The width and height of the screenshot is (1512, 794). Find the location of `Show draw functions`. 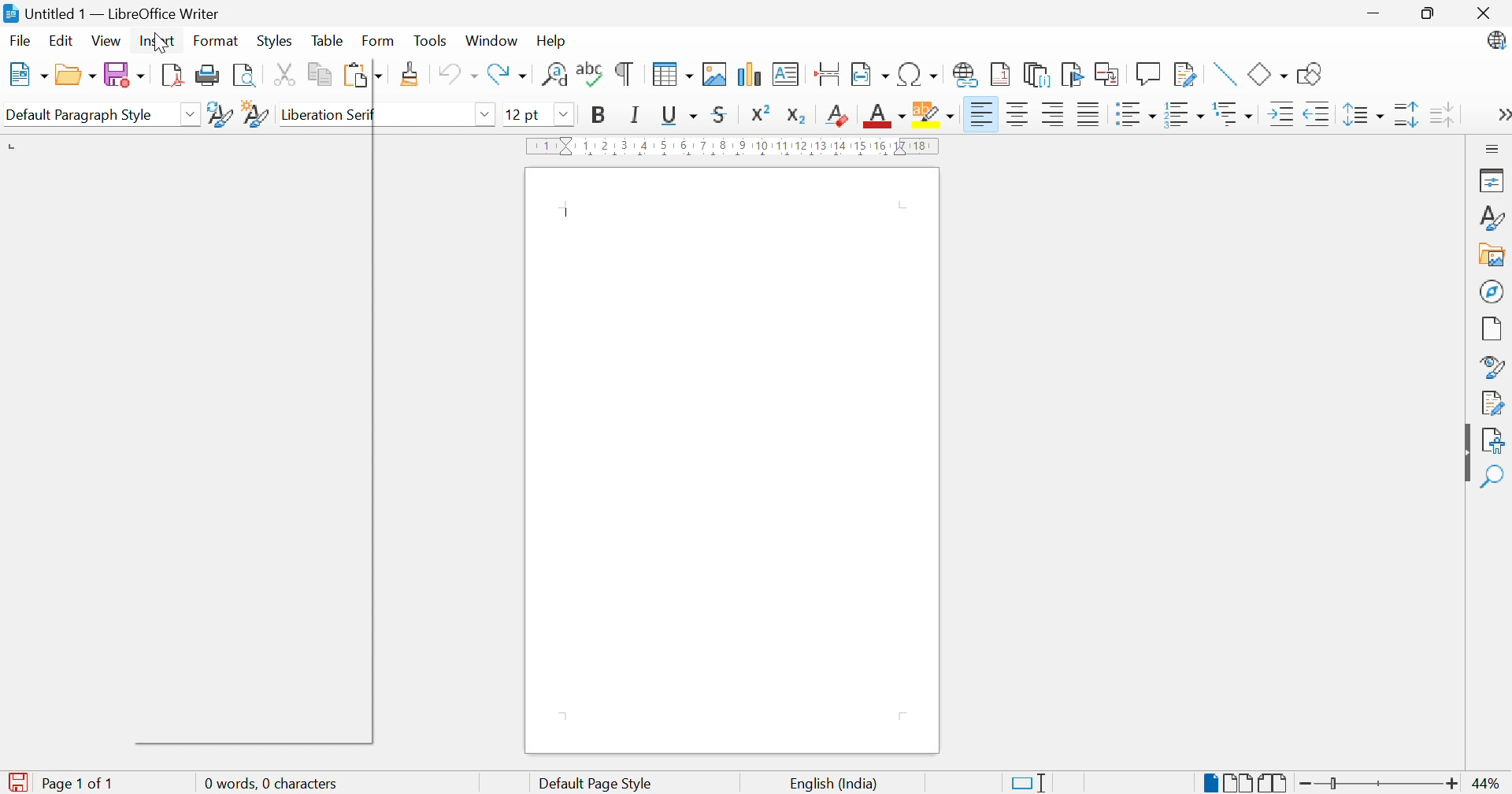

Show draw functions is located at coordinates (1310, 73).